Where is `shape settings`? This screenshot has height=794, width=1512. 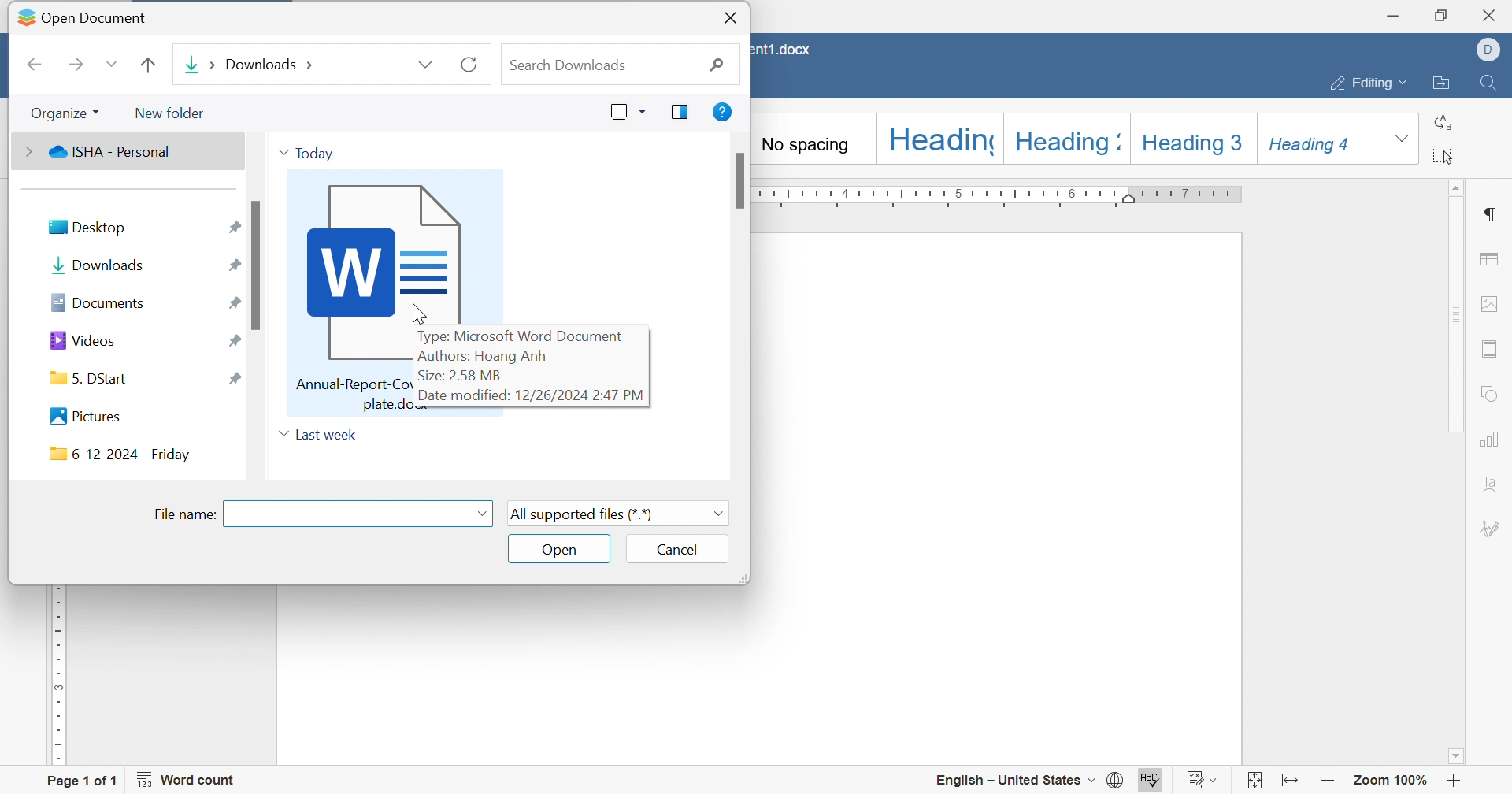 shape settings is located at coordinates (1493, 394).